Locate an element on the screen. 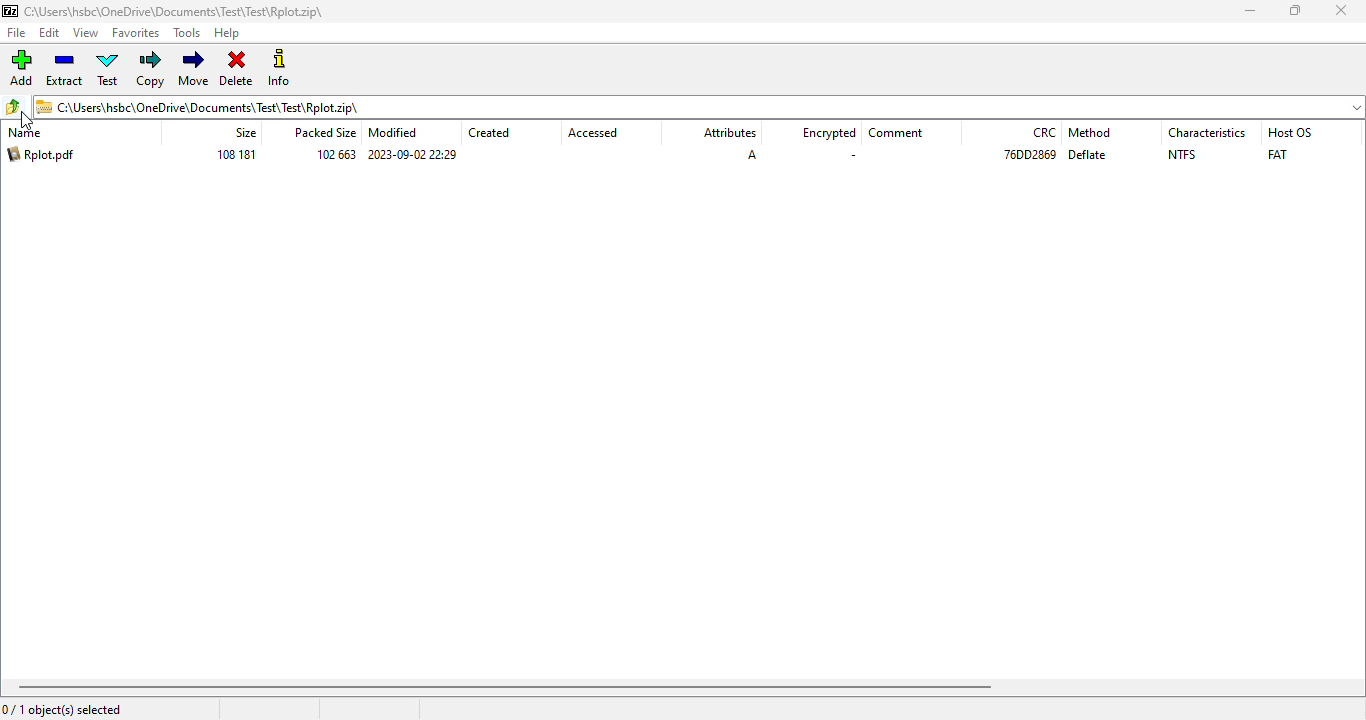 The height and width of the screenshot is (720, 1366). view is located at coordinates (85, 33).